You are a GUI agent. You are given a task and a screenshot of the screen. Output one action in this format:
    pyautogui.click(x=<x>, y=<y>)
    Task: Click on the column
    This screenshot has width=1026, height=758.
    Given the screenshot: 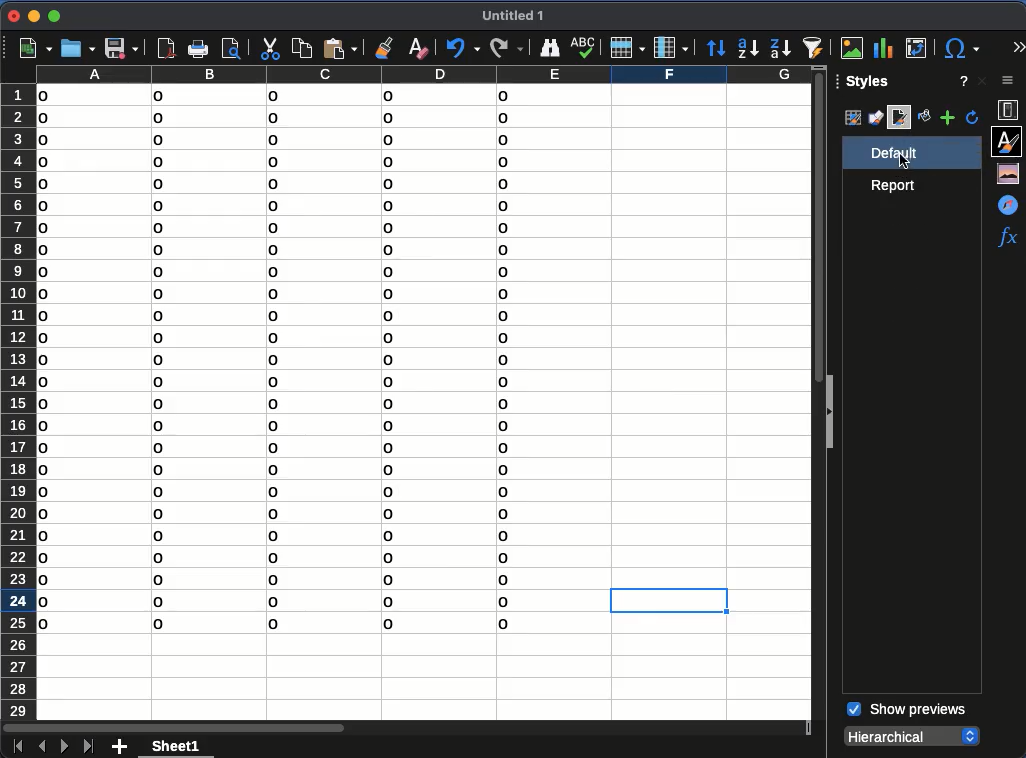 What is the action you would take?
    pyautogui.click(x=670, y=47)
    